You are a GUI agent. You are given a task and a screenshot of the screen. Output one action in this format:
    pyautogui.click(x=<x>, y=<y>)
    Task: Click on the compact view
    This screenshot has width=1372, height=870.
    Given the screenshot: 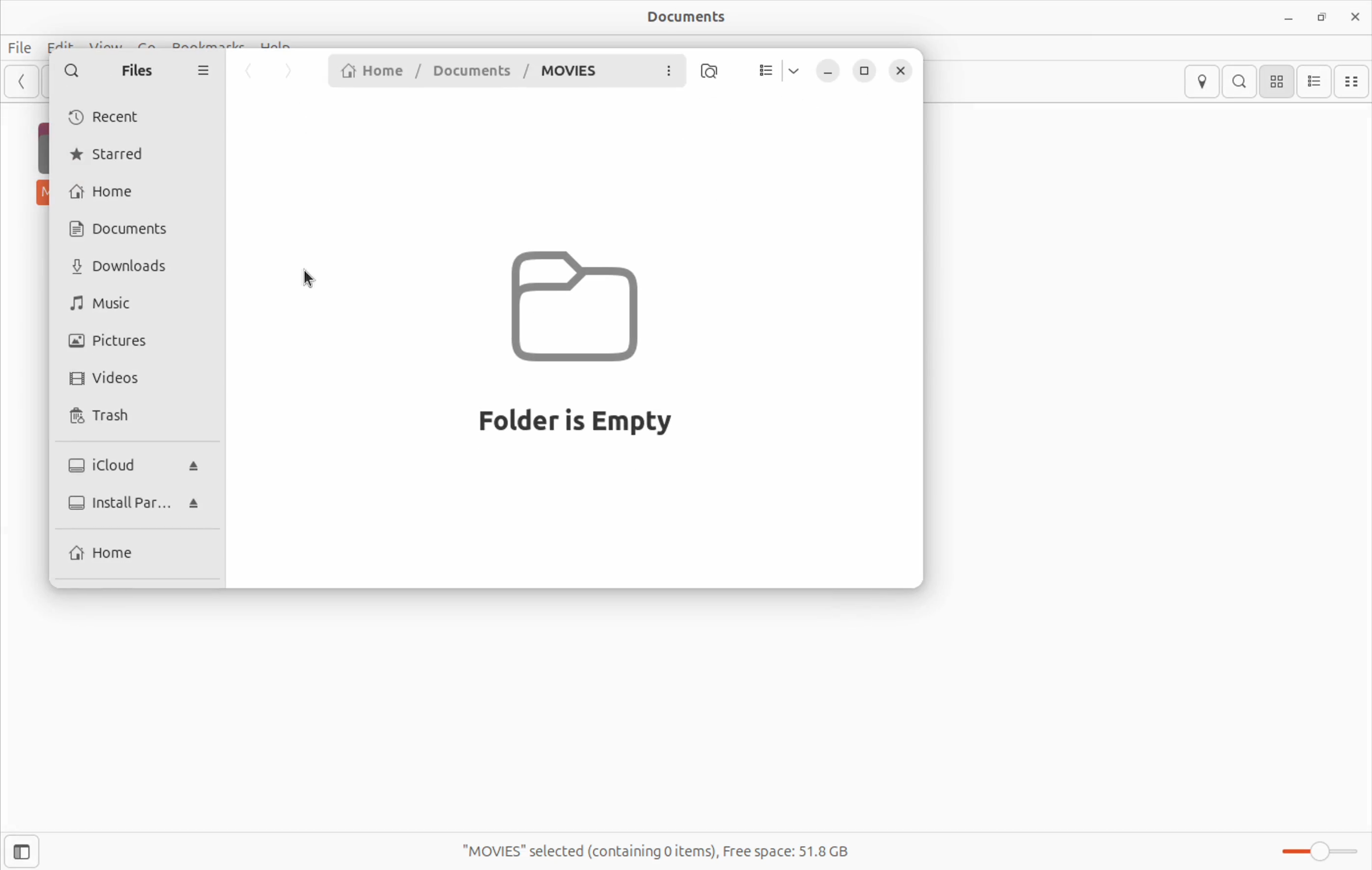 What is the action you would take?
    pyautogui.click(x=1354, y=81)
    